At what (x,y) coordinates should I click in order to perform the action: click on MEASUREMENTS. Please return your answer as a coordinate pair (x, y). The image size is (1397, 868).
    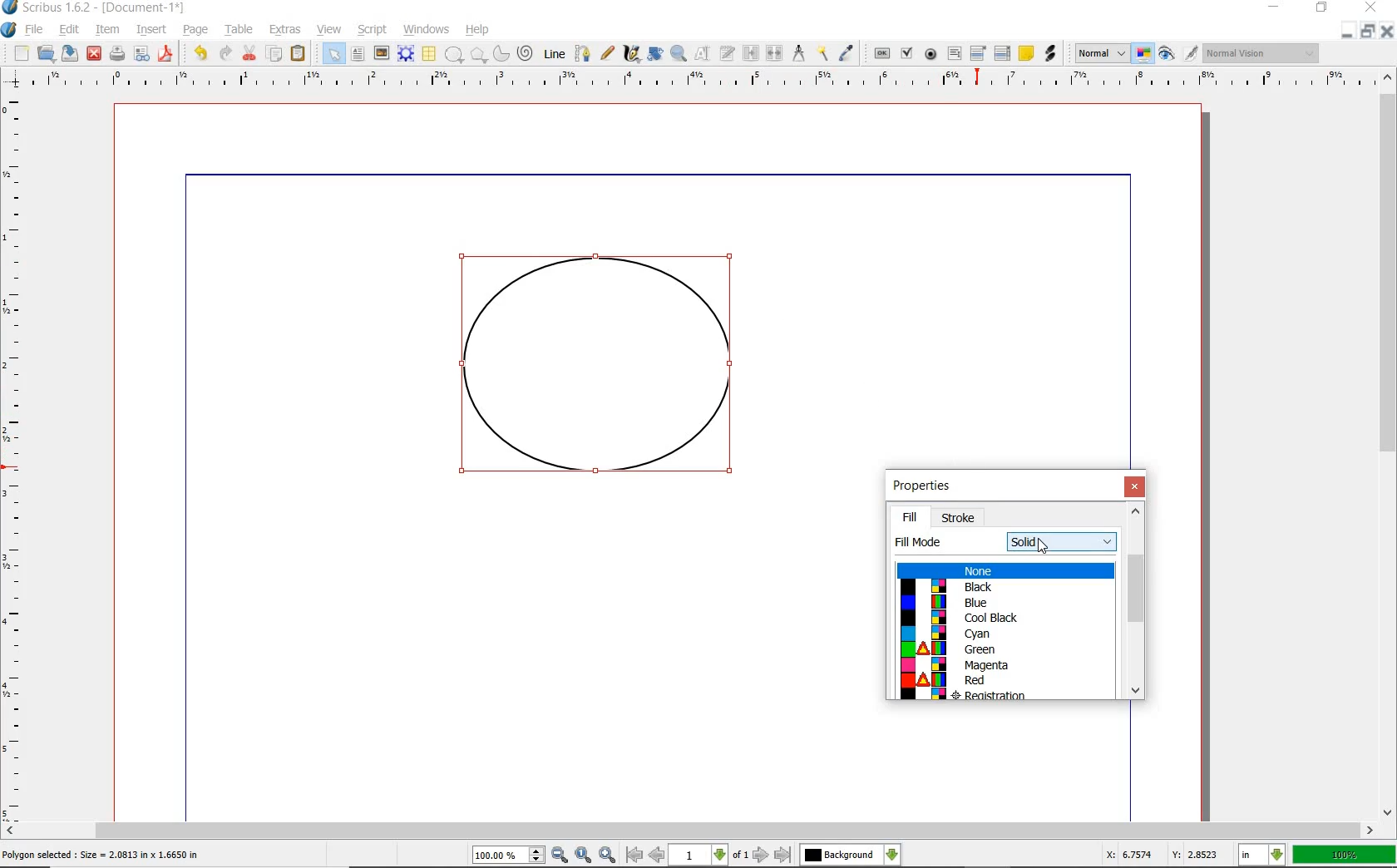
    Looking at the image, I should click on (798, 54).